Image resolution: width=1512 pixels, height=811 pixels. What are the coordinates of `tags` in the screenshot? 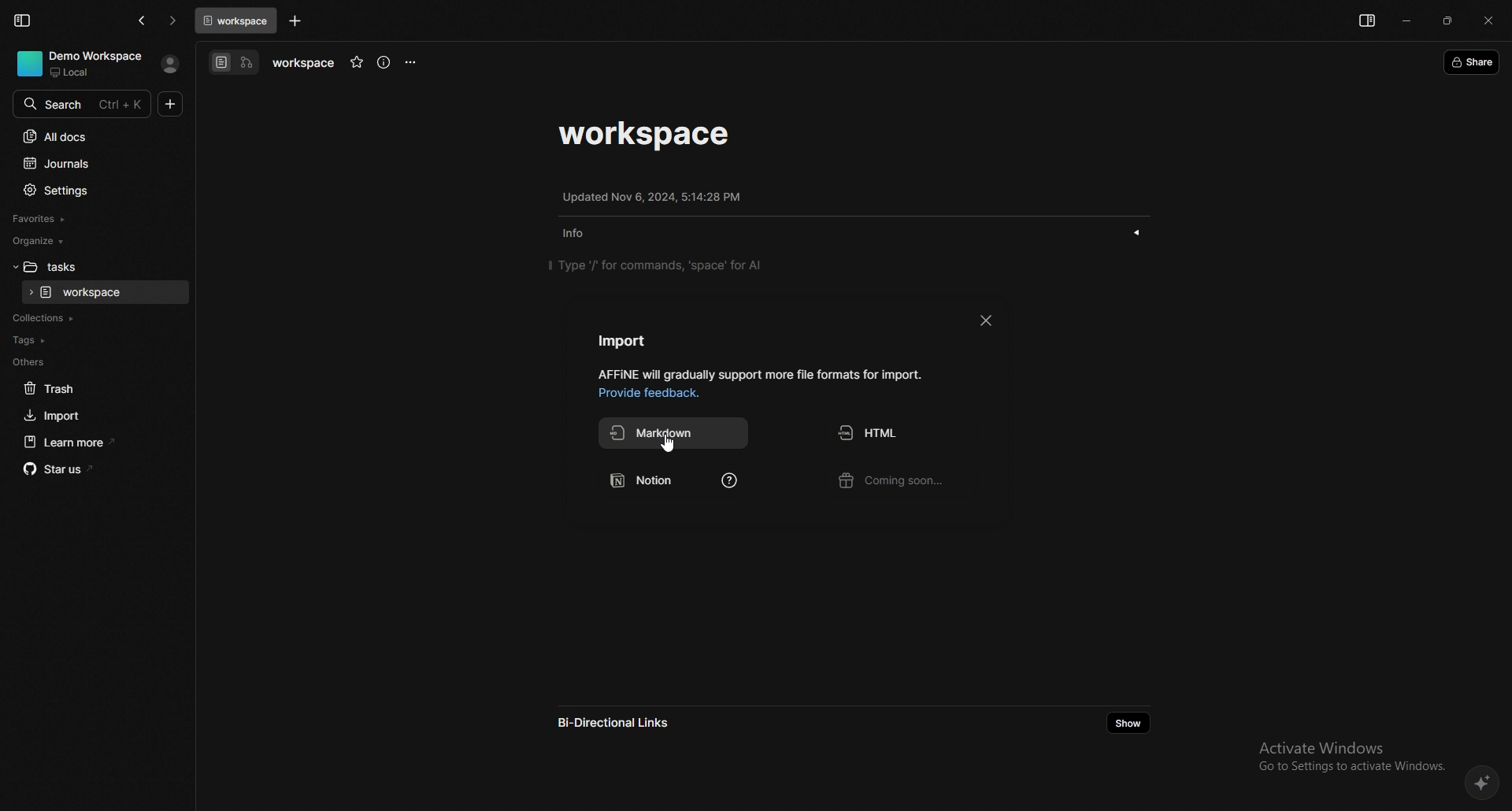 It's located at (91, 341).